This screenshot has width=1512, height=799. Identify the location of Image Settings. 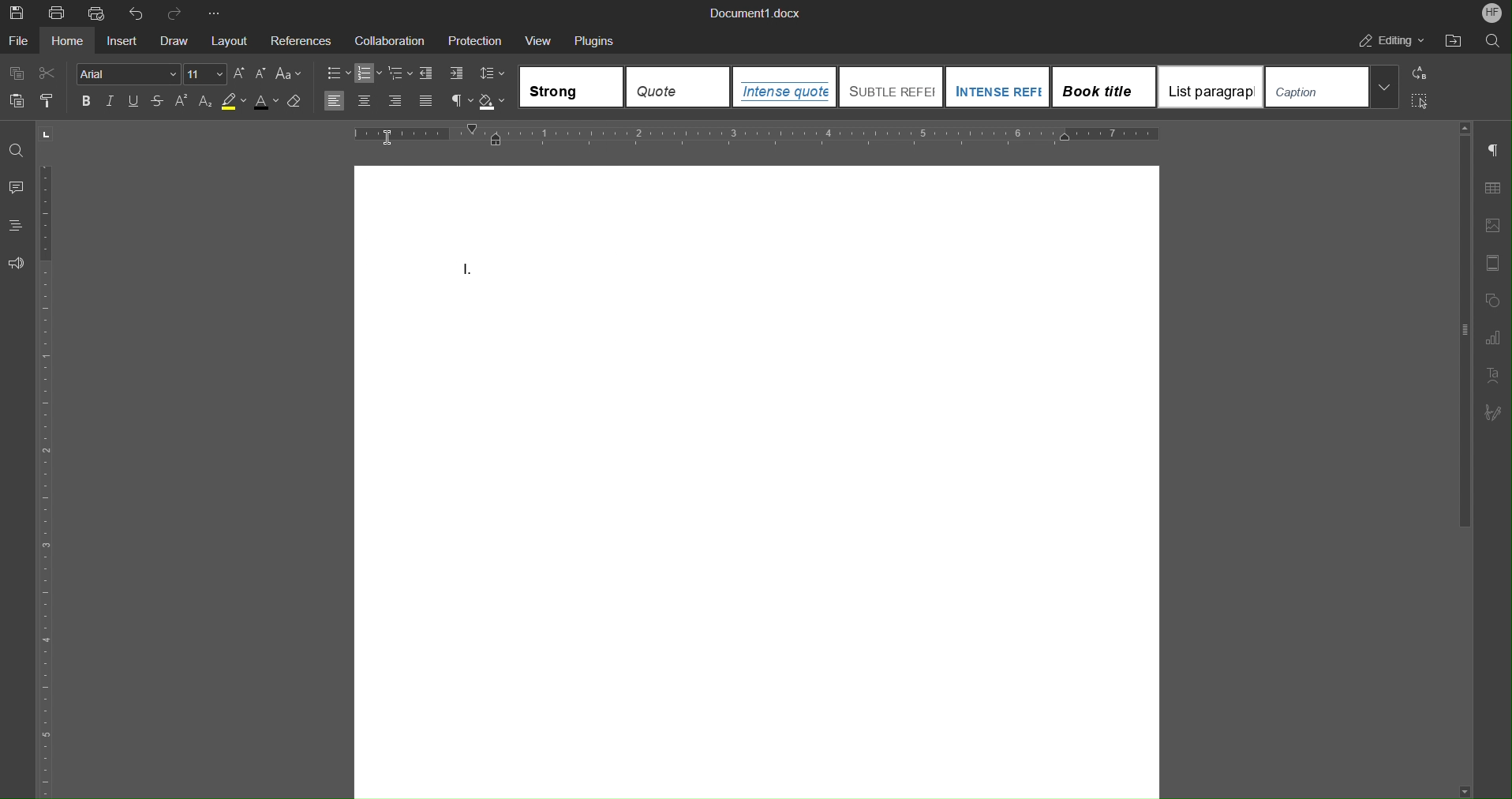
(1491, 225).